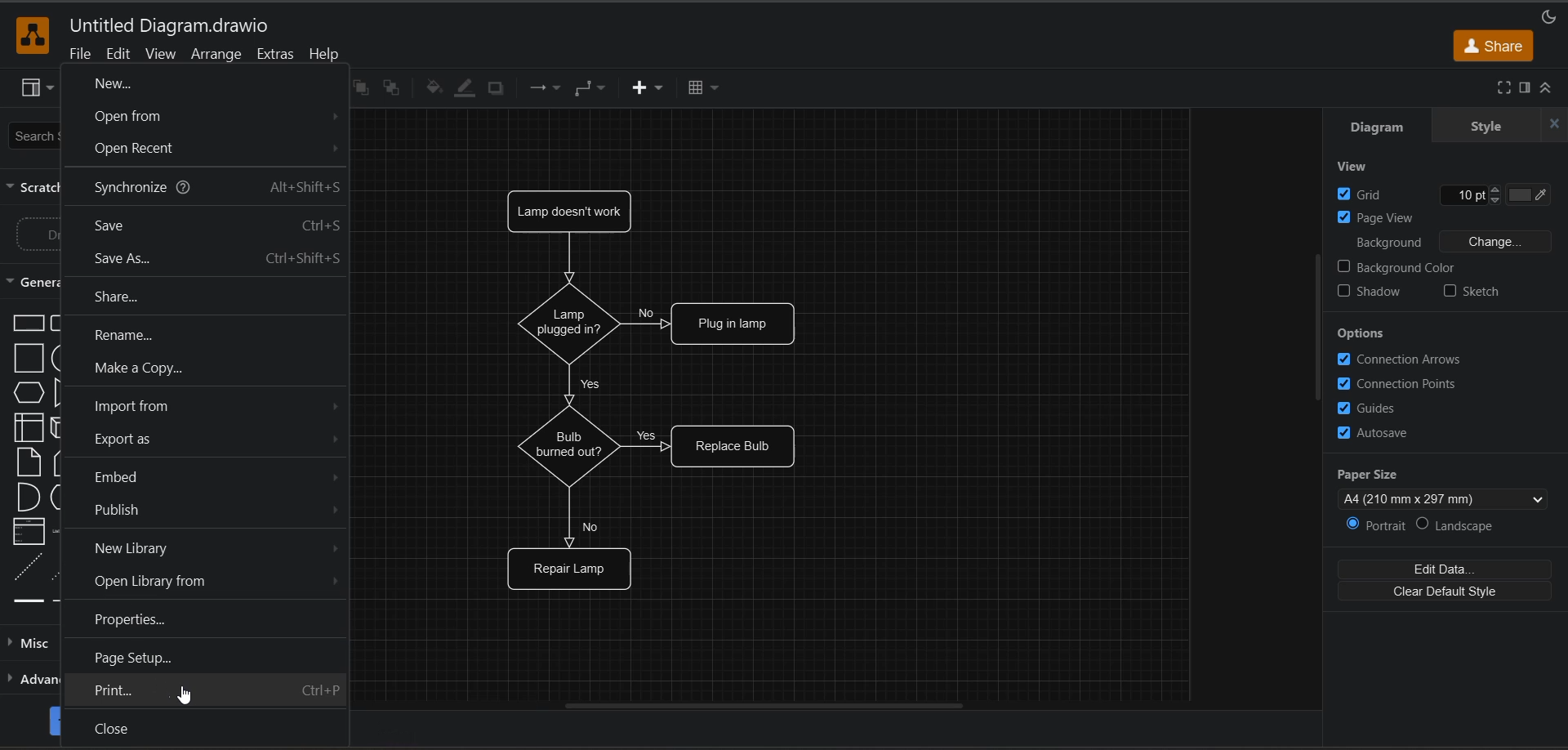  I want to click on appearance, so click(1543, 16).